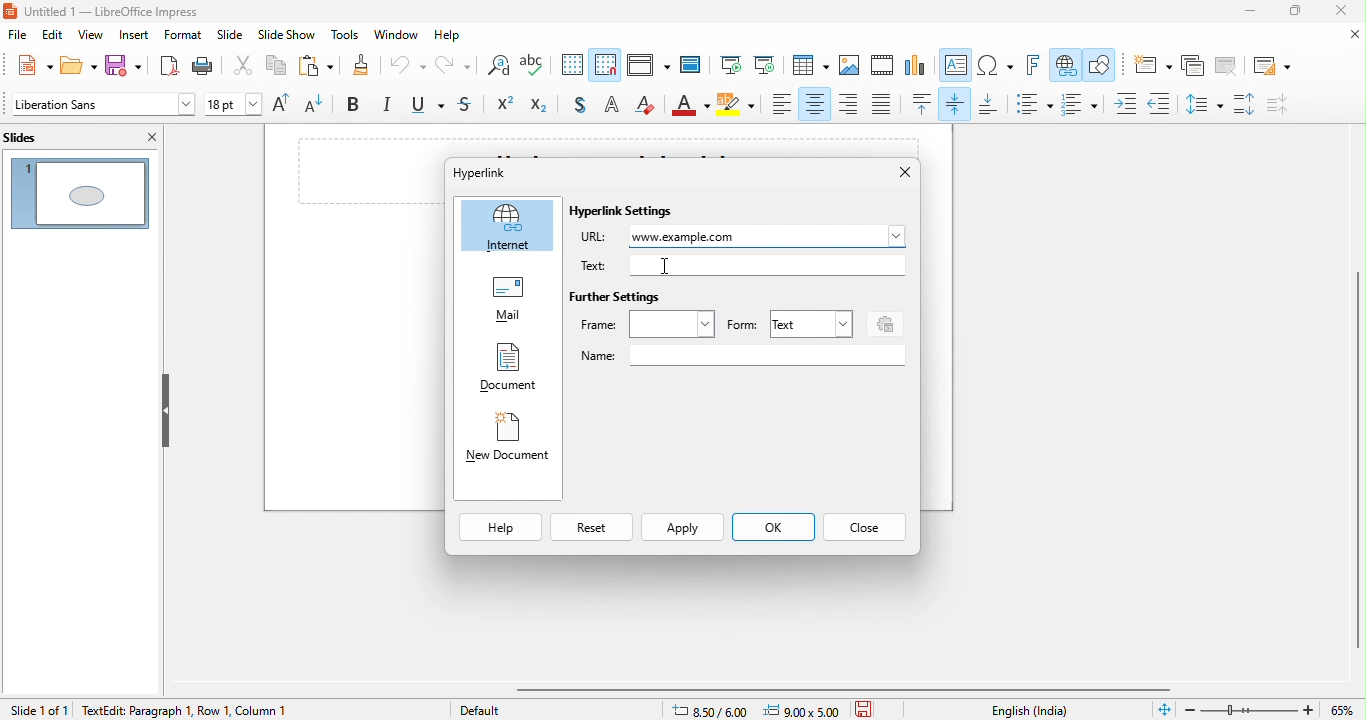  Describe the element at coordinates (135, 35) in the screenshot. I see `insert ` at that location.